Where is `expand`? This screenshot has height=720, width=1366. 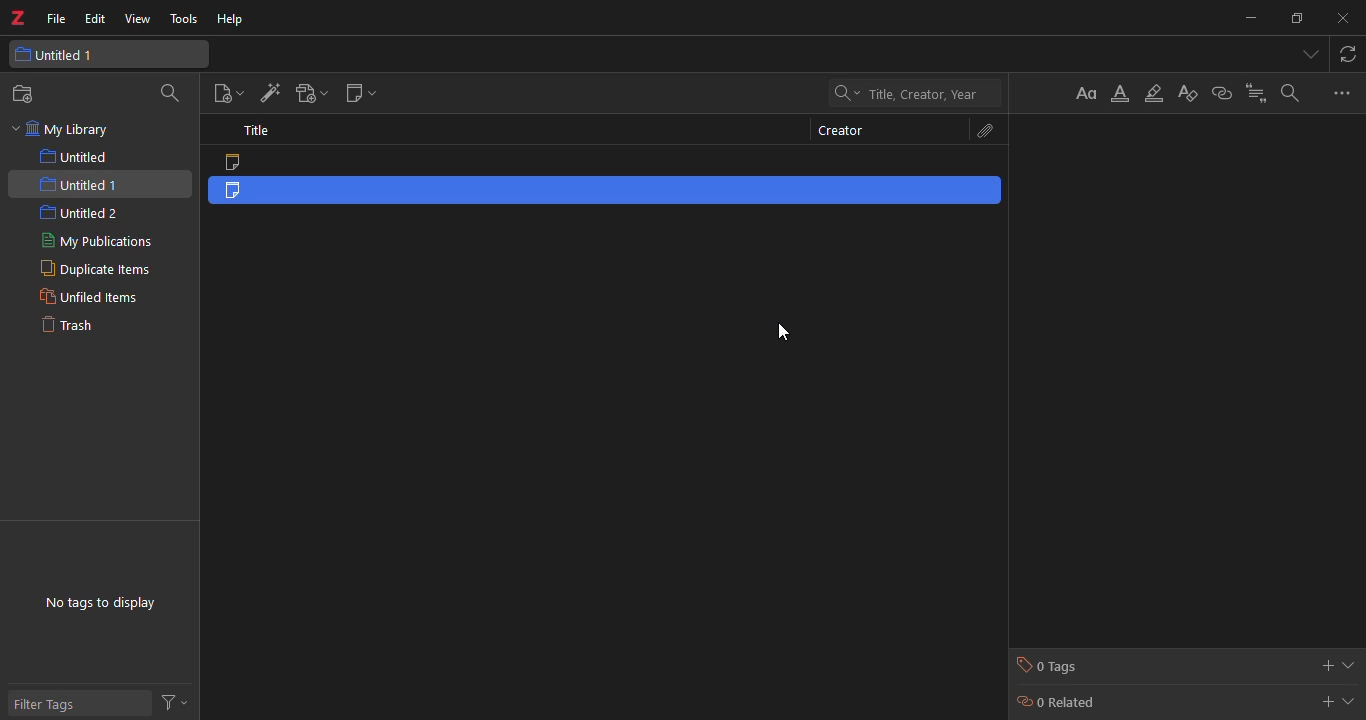
expand is located at coordinates (1348, 701).